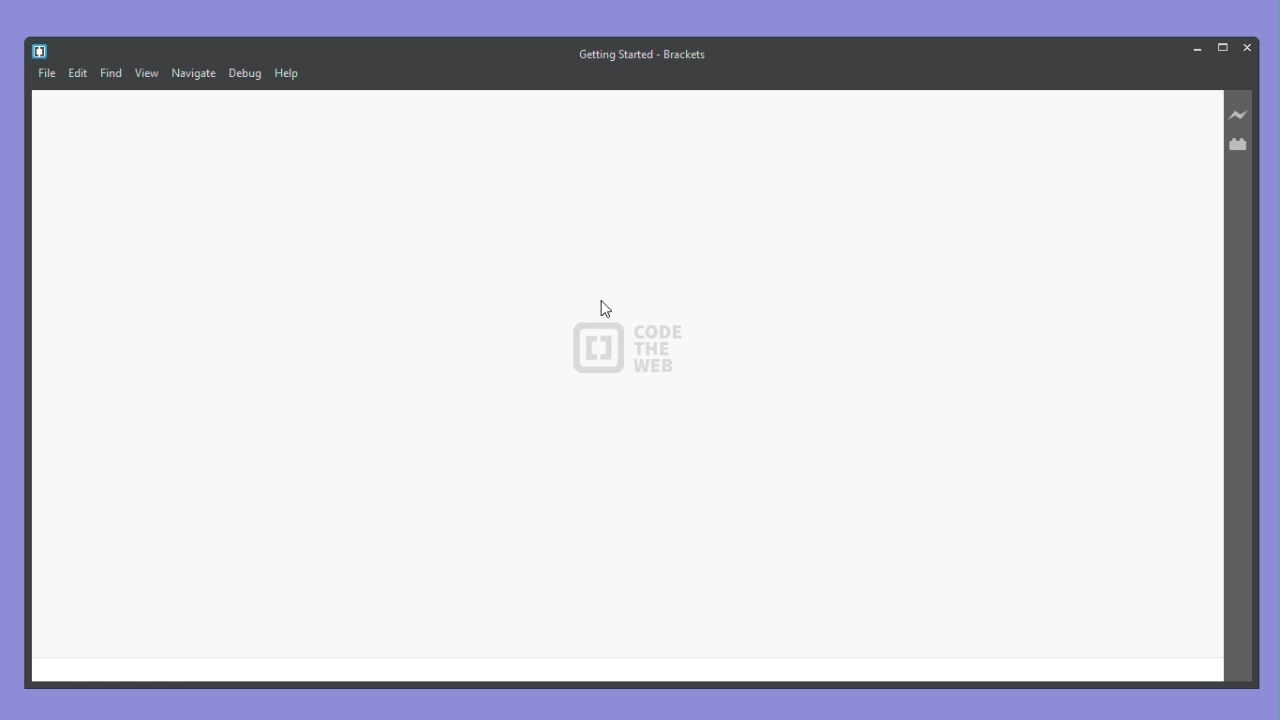  What do you see at coordinates (1241, 115) in the screenshot?
I see `Live preview` at bounding box center [1241, 115].